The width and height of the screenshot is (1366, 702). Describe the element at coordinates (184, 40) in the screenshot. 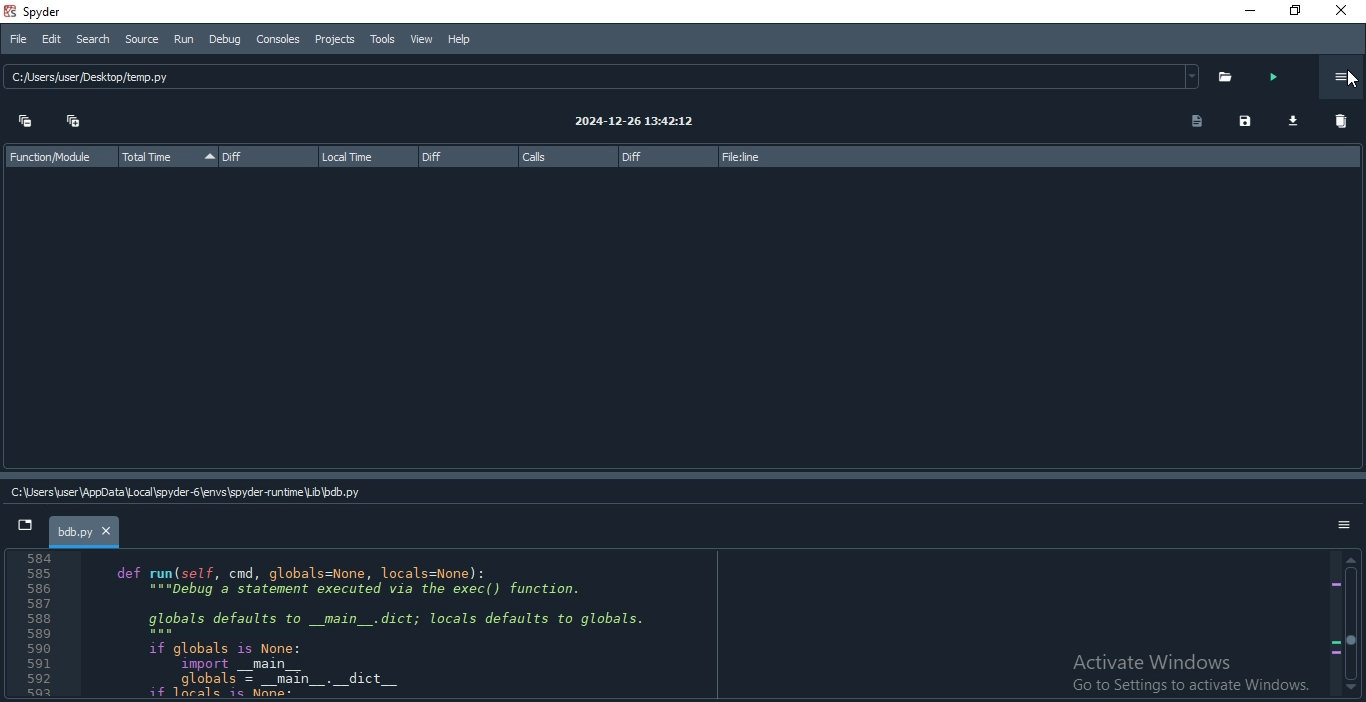

I see `Run` at that location.